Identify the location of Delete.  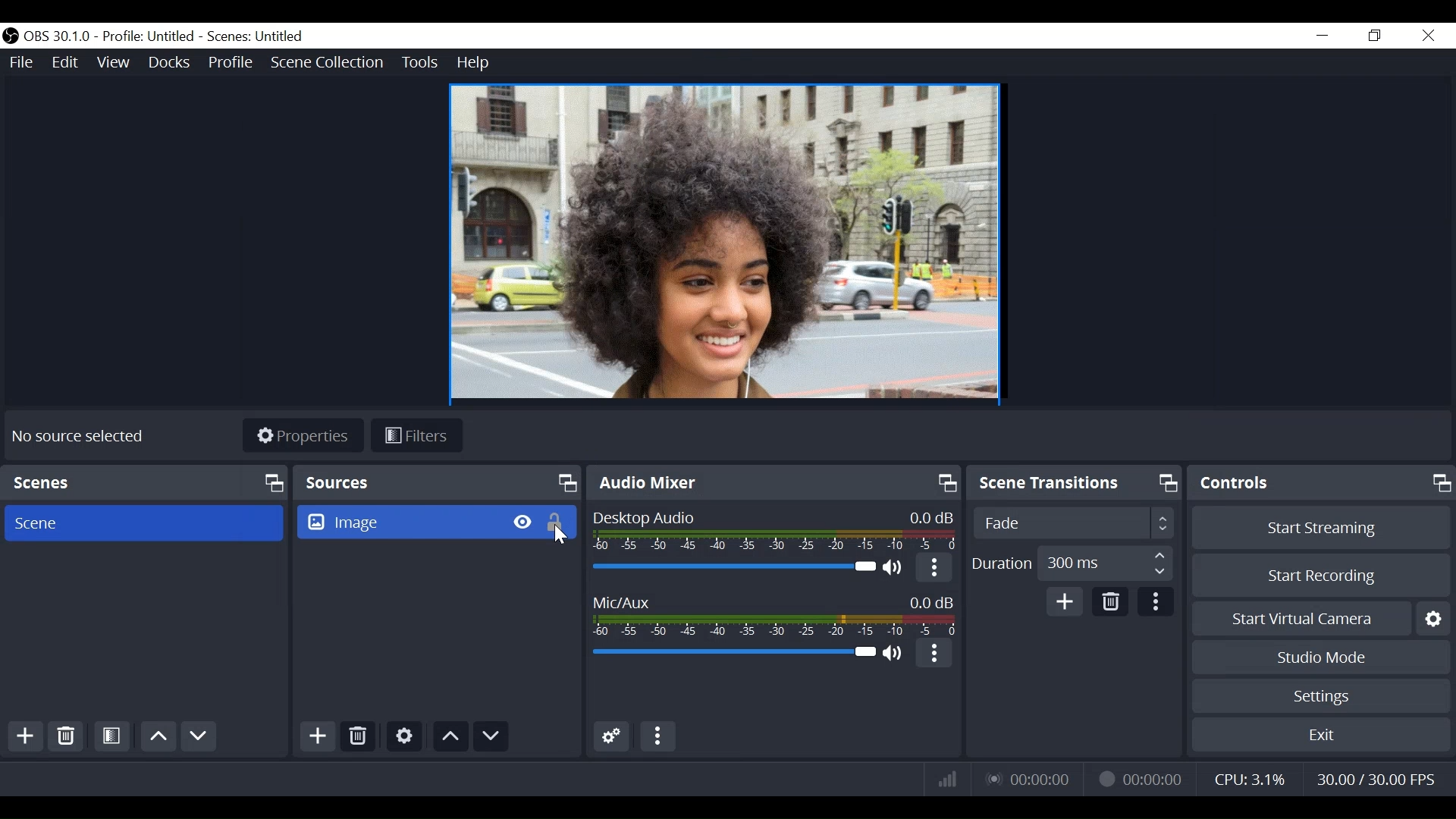
(1110, 604).